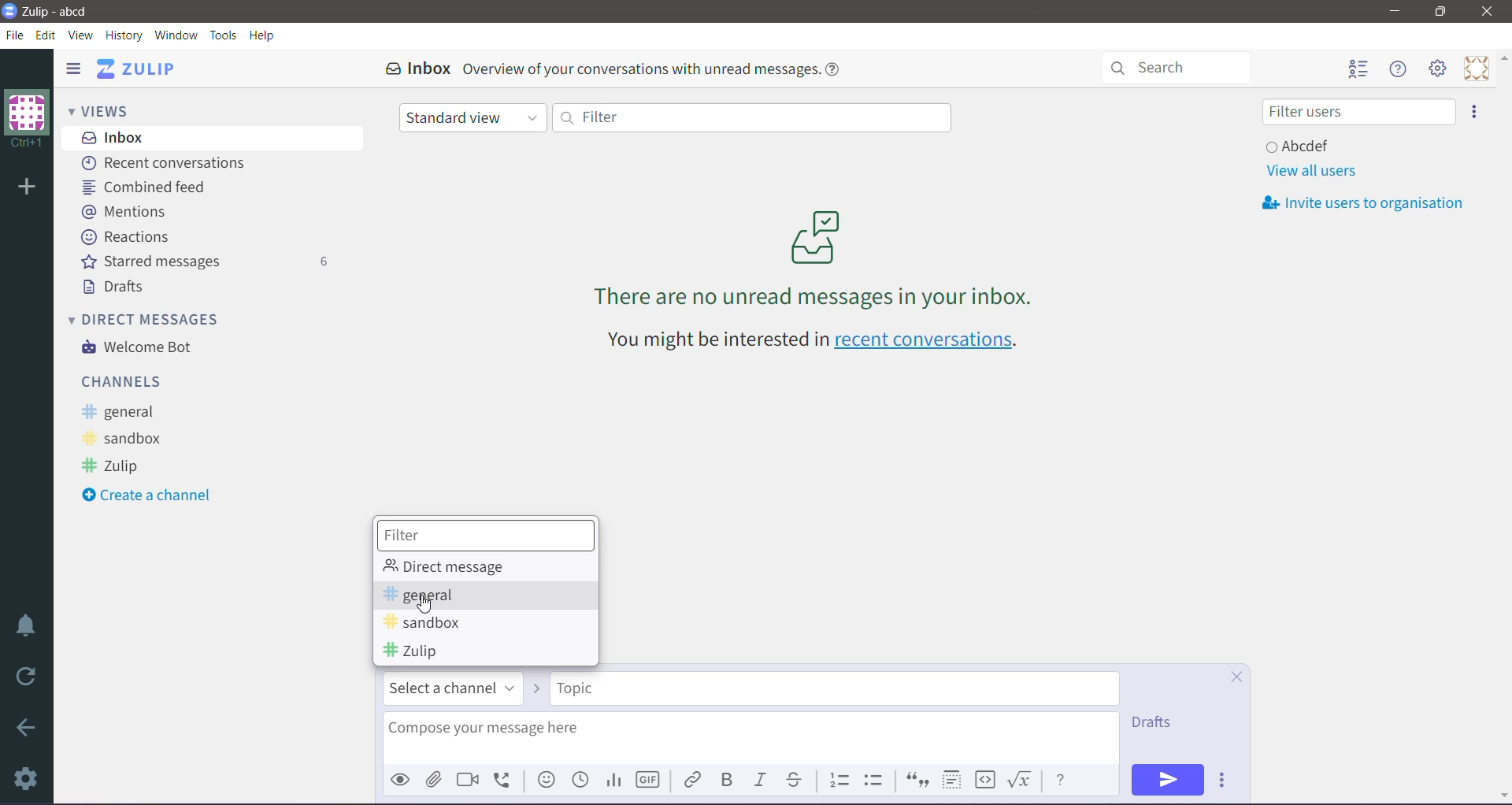 The image size is (1512, 805). Describe the element at coordinates (15, 35) in the screenshot. I see `File` at that location.